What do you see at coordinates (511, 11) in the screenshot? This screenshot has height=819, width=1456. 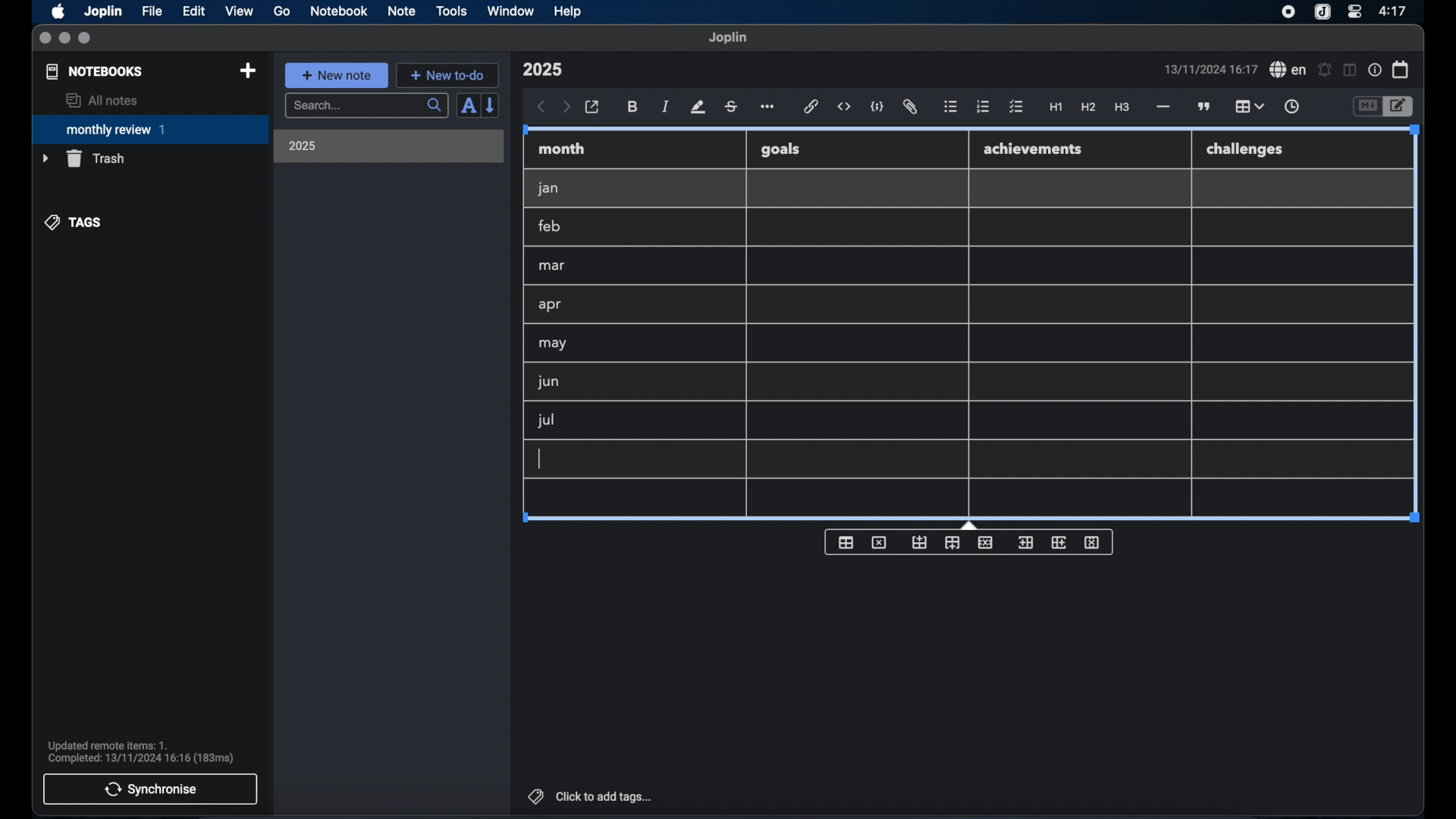 I see `window` at bounding box center [511, 11].